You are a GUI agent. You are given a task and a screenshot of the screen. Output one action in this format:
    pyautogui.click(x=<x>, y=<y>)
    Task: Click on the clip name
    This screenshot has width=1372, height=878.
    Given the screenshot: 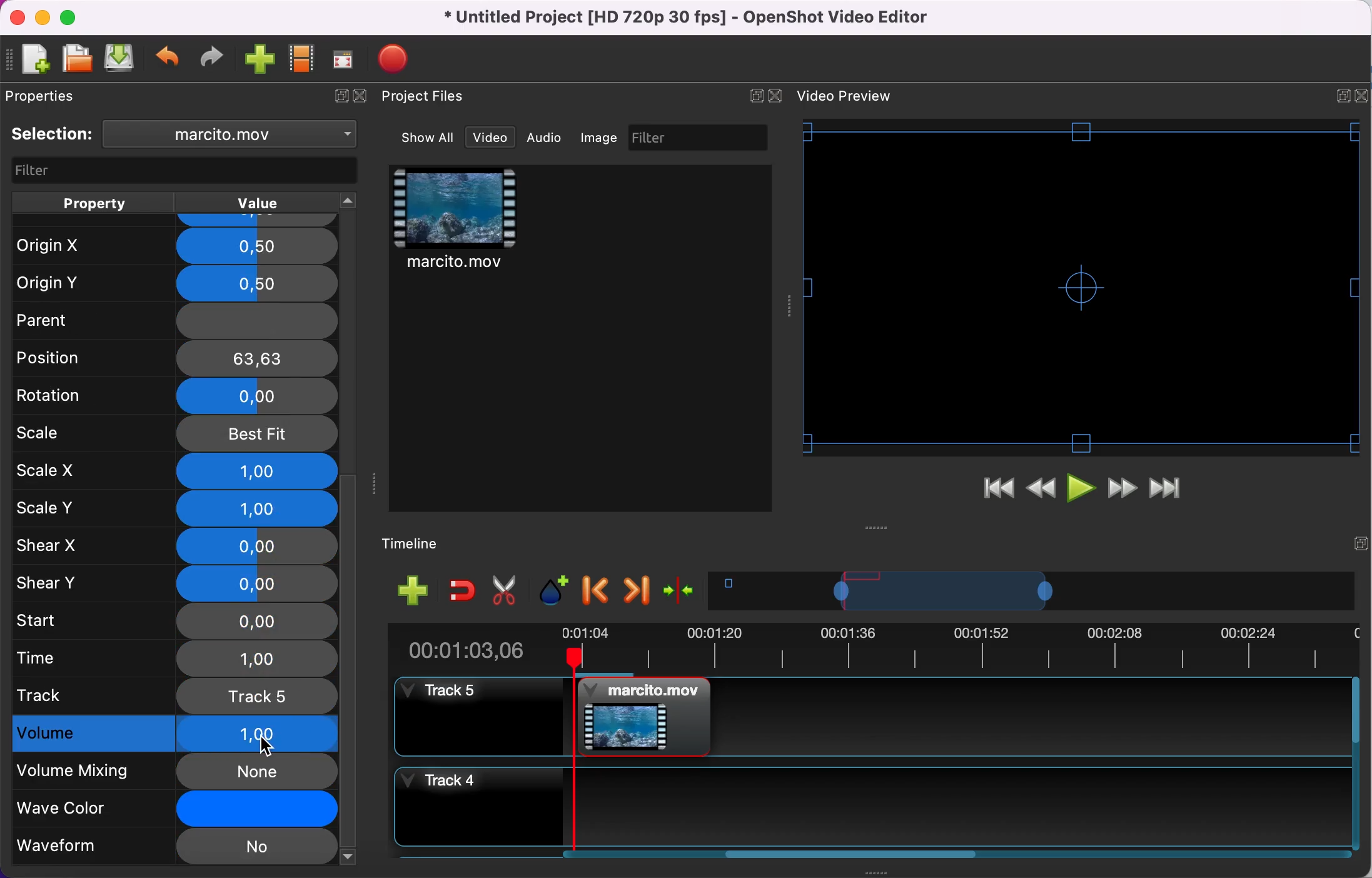 What is the action you would take?
    pyautogui.click(x=236, y=133)
    